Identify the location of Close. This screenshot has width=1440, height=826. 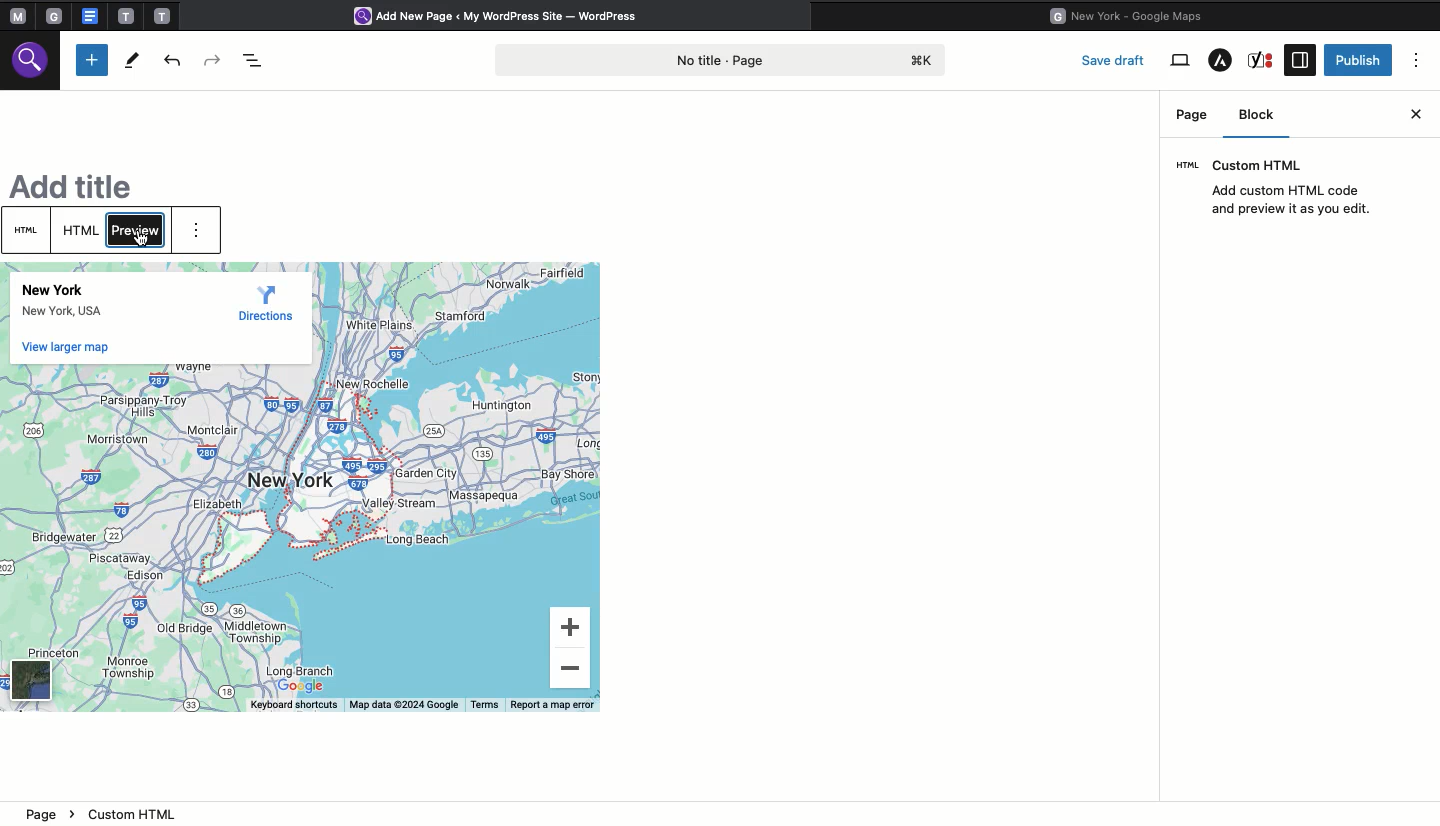
(1417, 112).